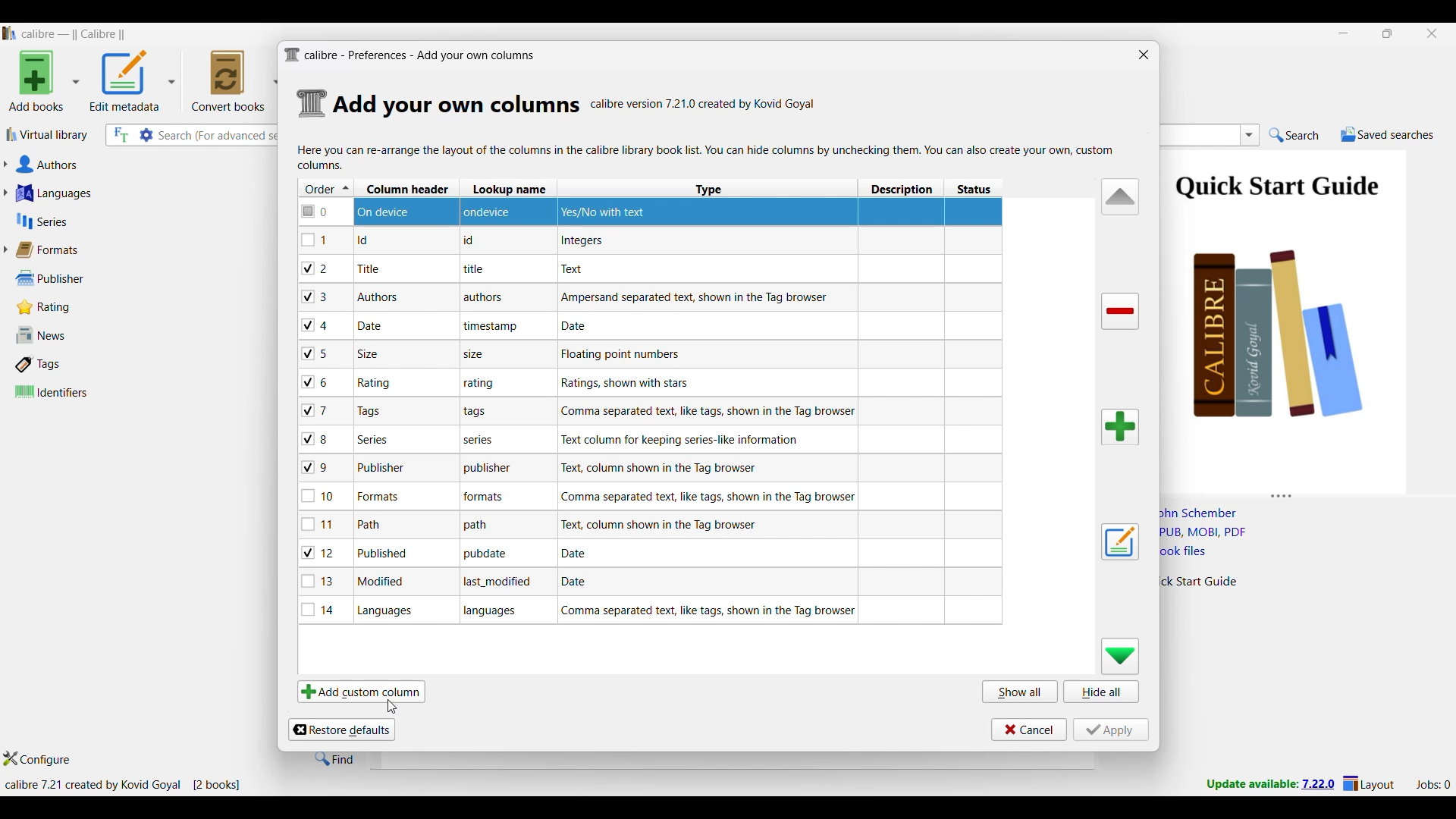 This screenshot has height=819, width=1456. I want to click on ondevice, so click(497, 215).